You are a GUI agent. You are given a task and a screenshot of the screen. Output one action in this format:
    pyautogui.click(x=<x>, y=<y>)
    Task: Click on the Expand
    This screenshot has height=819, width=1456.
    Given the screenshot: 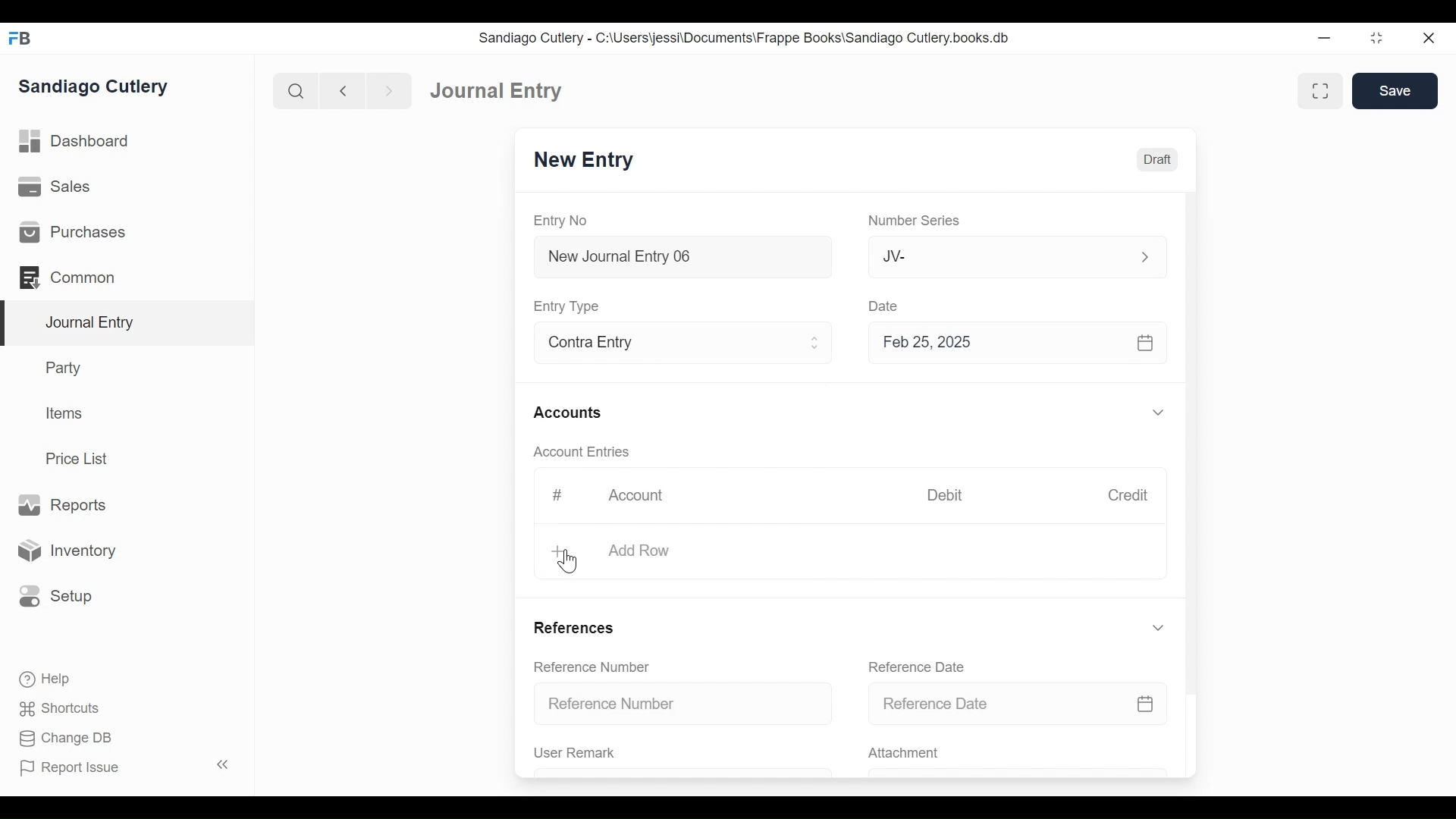 What is the action you would take?
    pyautogui.click(x=1158, y=628)
    